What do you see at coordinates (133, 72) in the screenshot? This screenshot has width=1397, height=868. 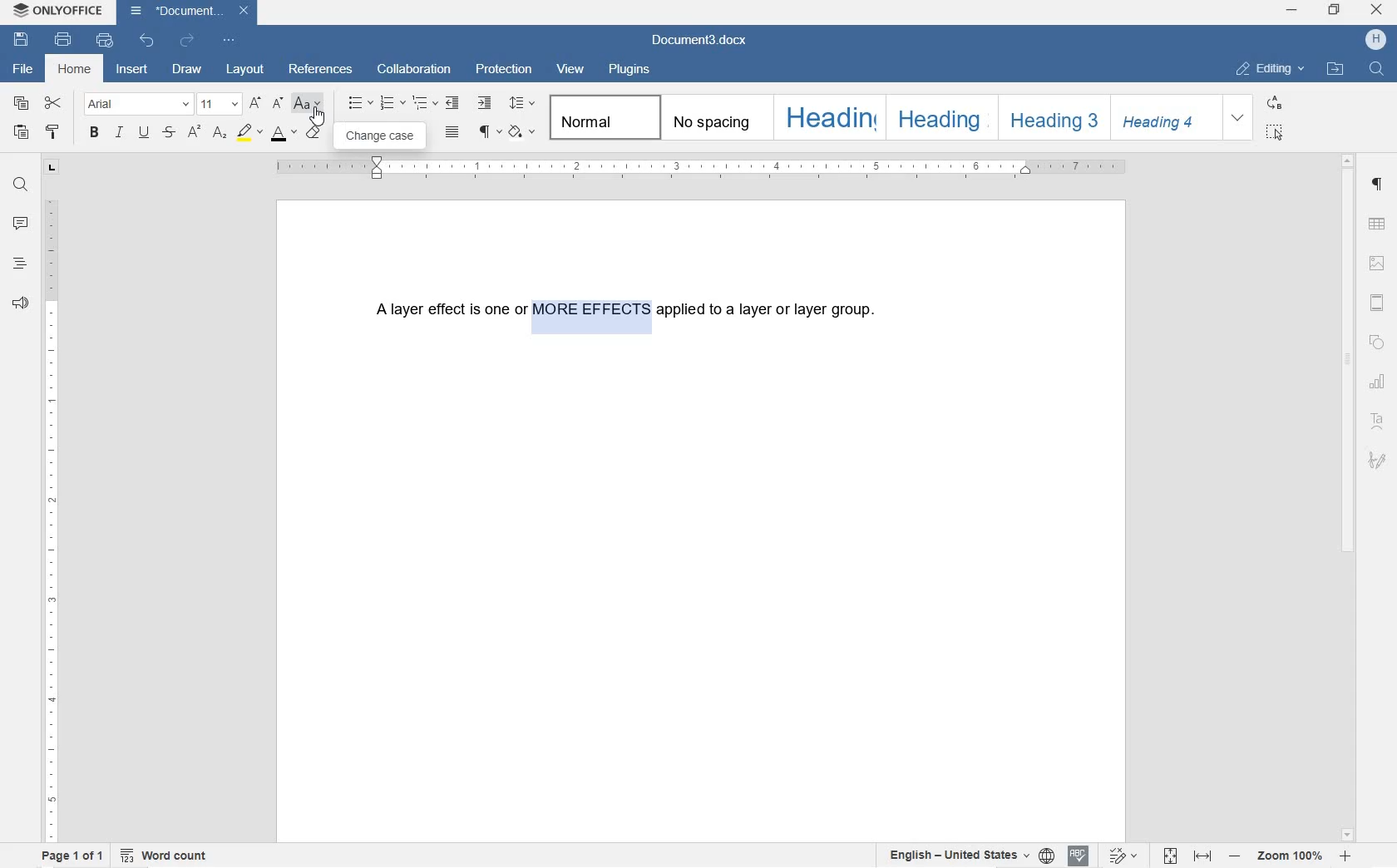 I see `INSERT` at bounding box center [133, 72].